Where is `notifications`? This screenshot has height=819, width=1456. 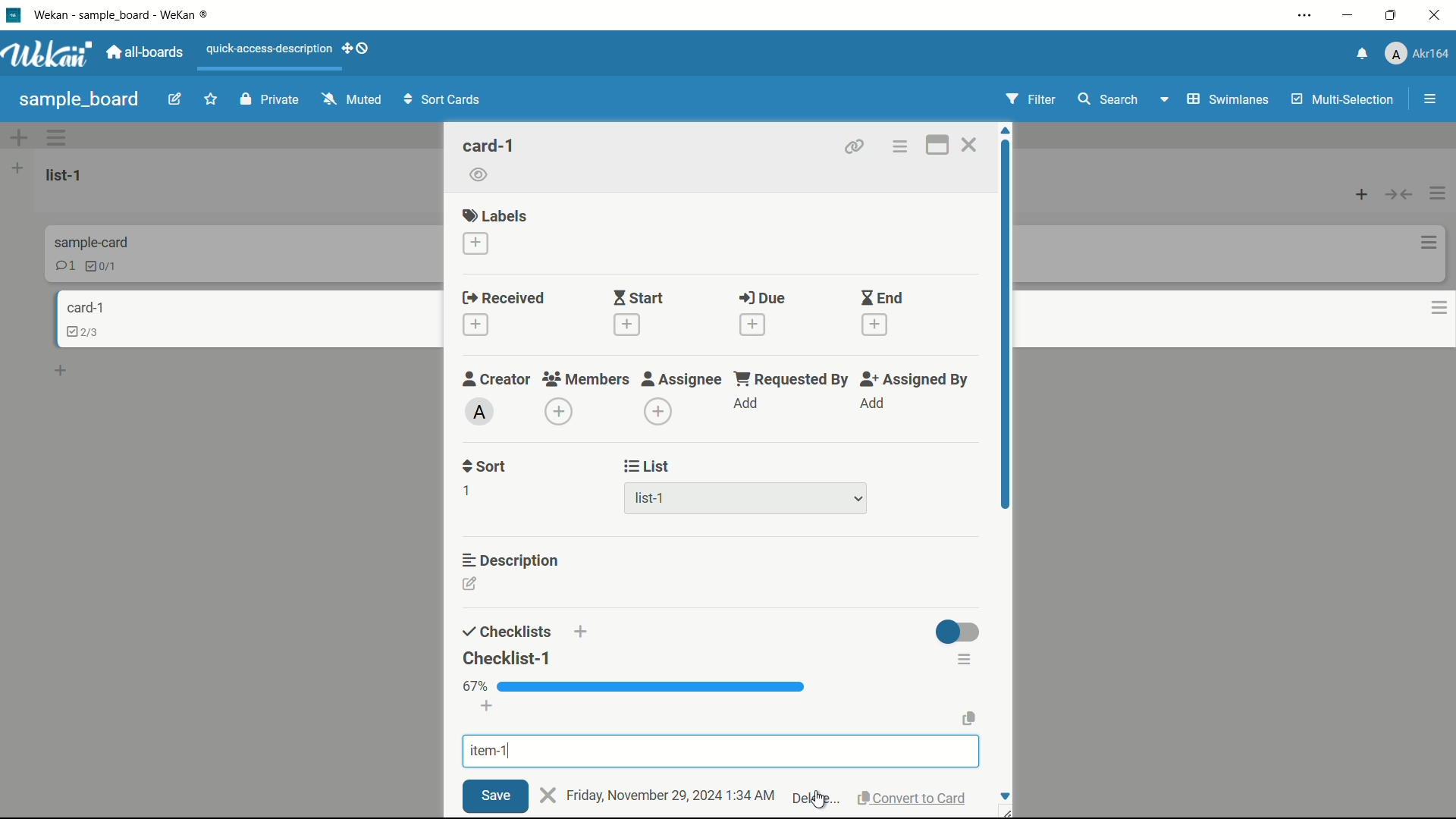 notifications is located at coordinates (1357, 55).